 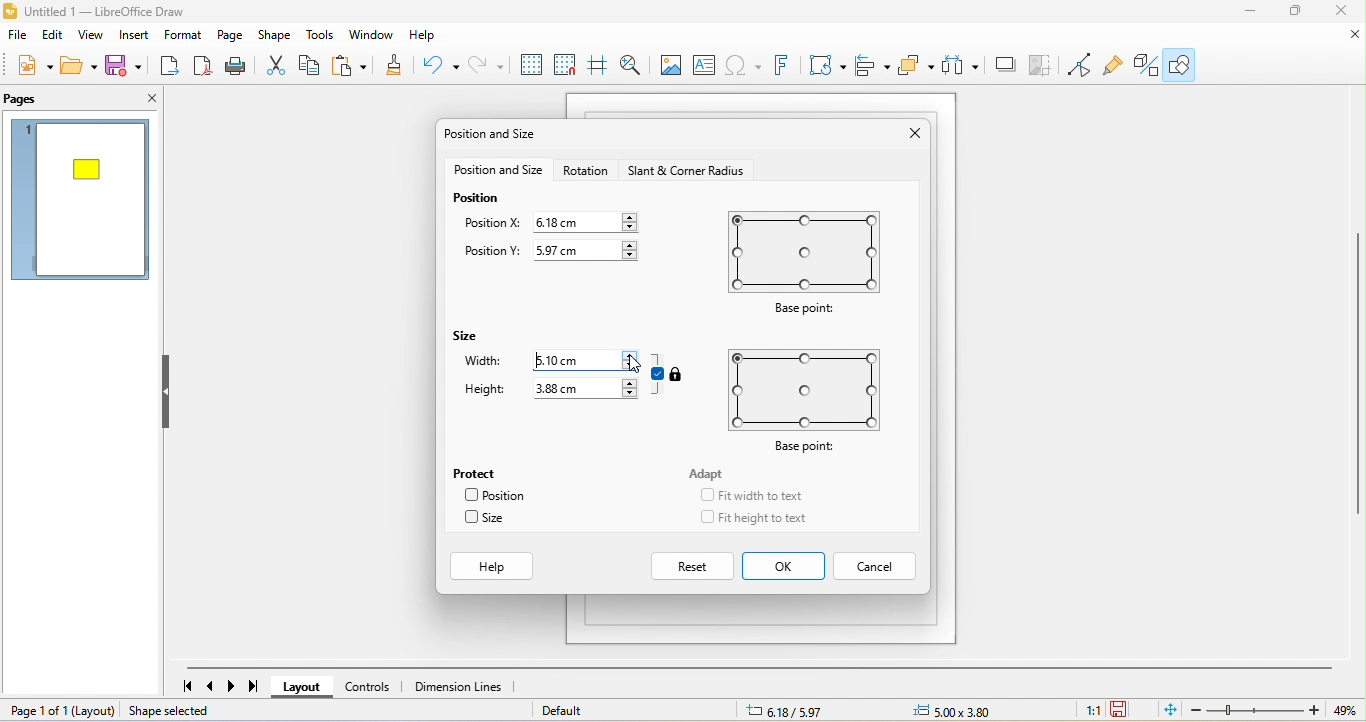 What do you see at coordinates (120, 11) in the screenshot?
I see `untitled 1- libre office draw` at bounding box center [120, 11].